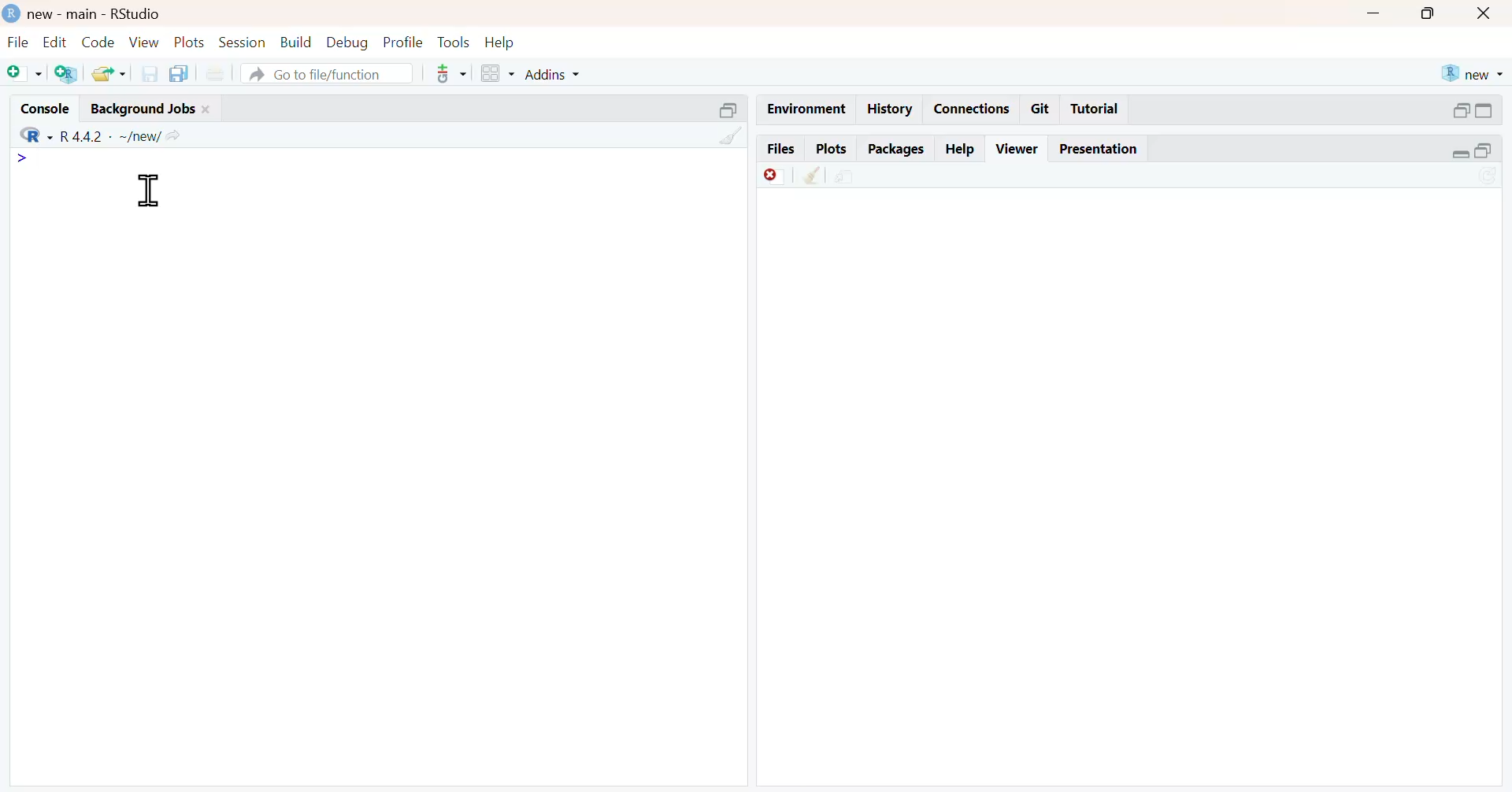  Describe the element at coordinates (831, 148) in the screenshot. I see `plots` at that location.